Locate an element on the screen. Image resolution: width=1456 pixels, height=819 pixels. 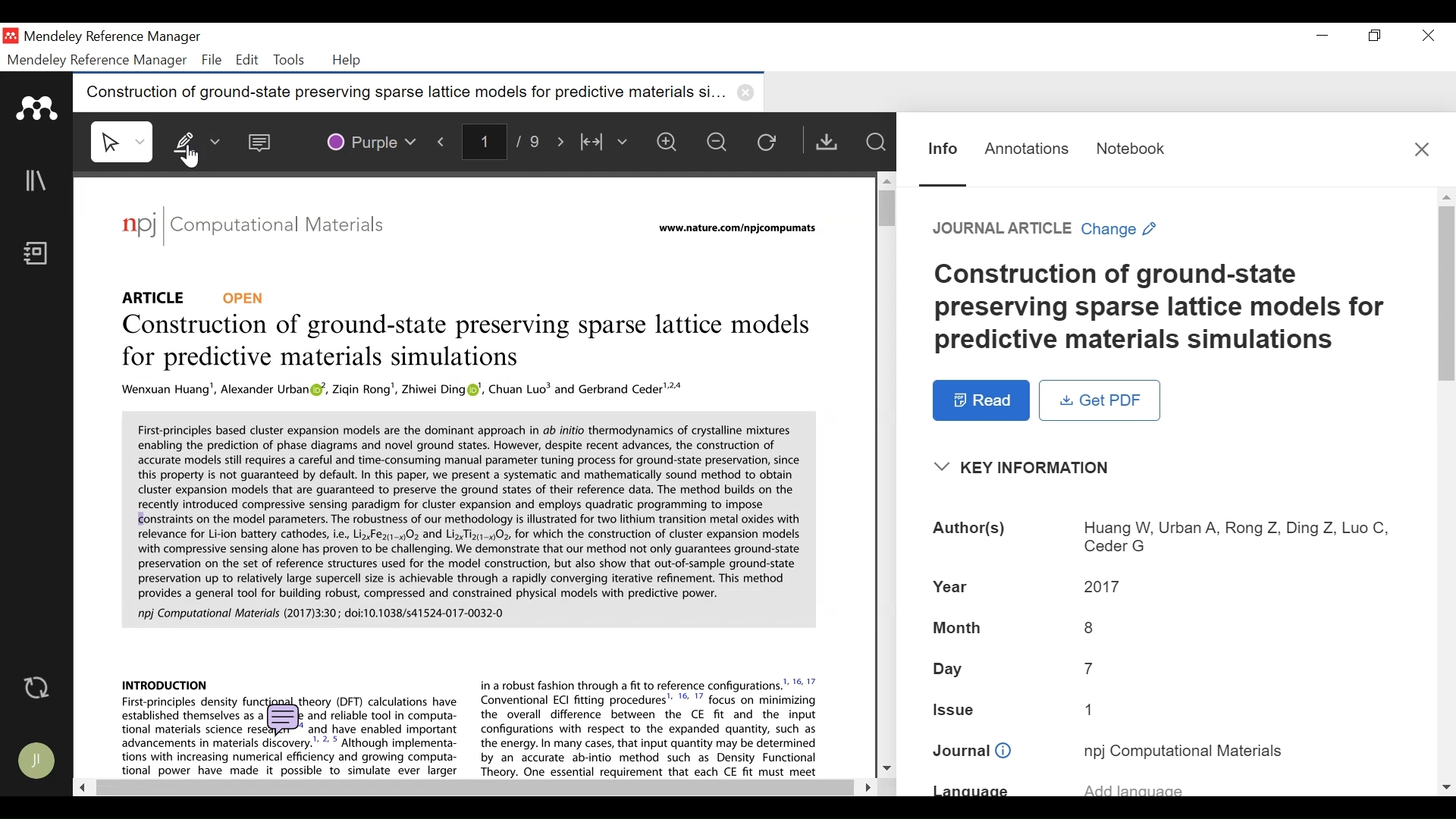
Edit is located at coordinates (245, 60).